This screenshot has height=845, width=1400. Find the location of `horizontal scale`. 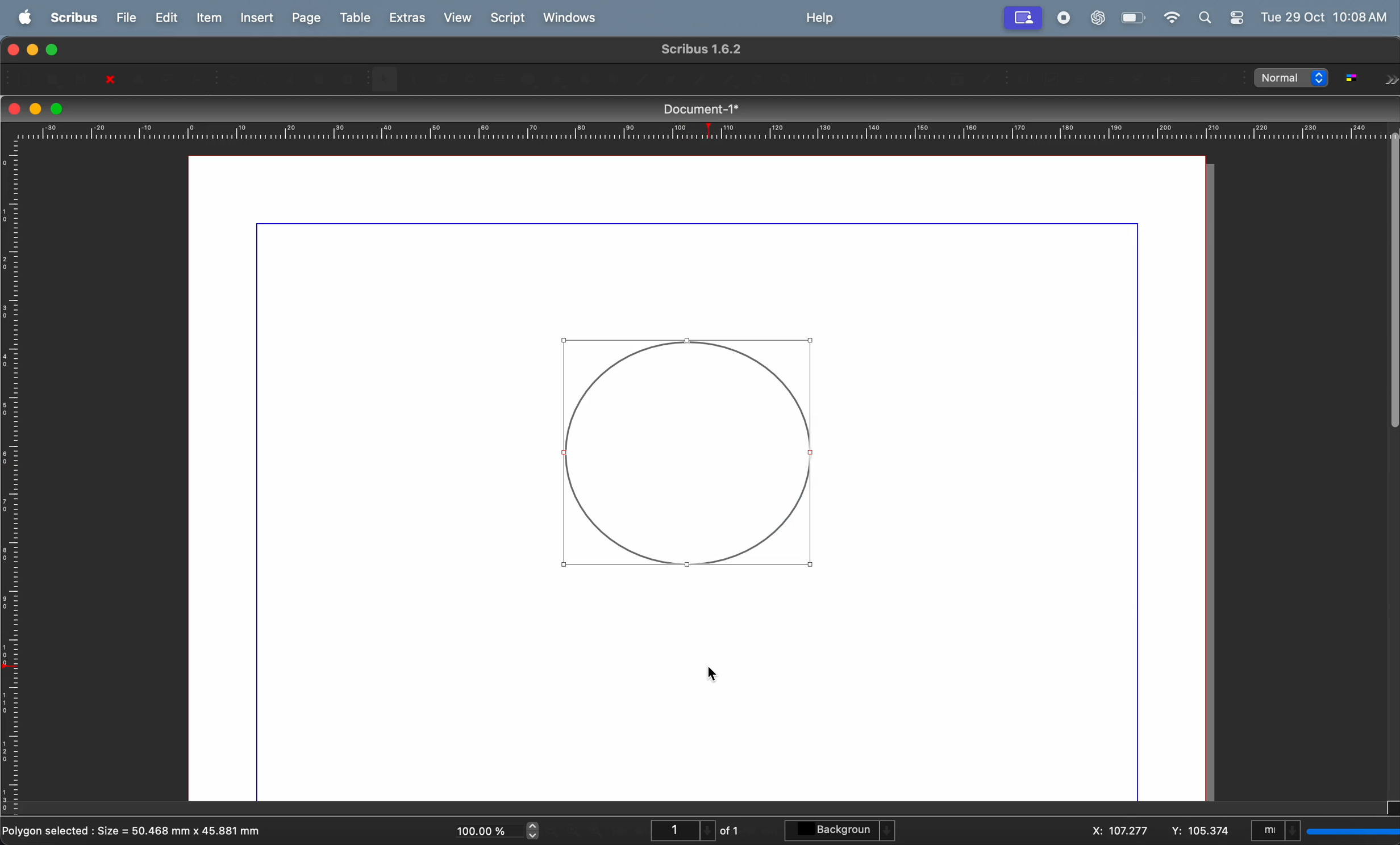

horizontal scale is located at coordinates (693, 131).